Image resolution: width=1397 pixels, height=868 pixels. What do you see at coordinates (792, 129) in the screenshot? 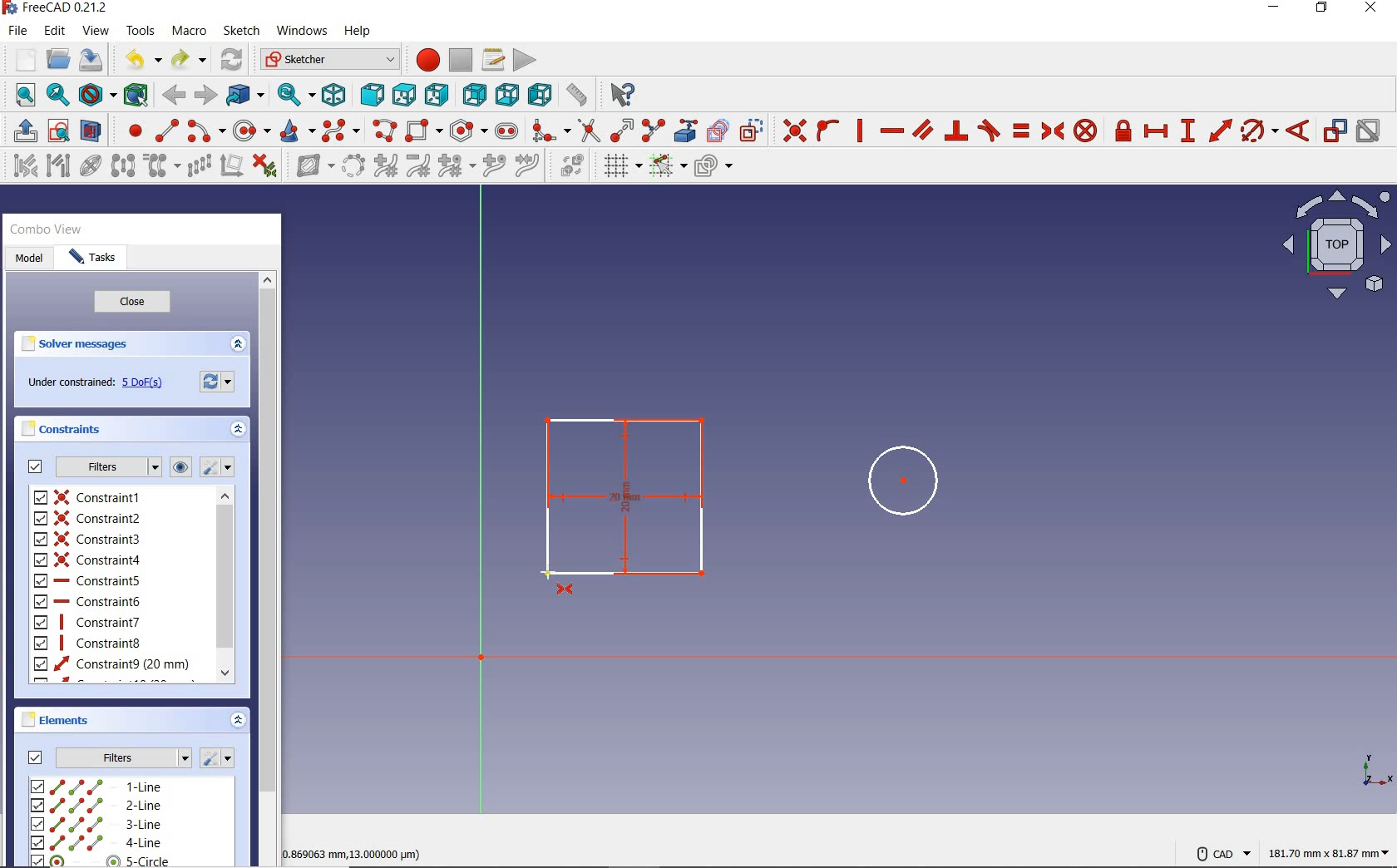
I see `constraint coincident` at bounding box center [792, 129].